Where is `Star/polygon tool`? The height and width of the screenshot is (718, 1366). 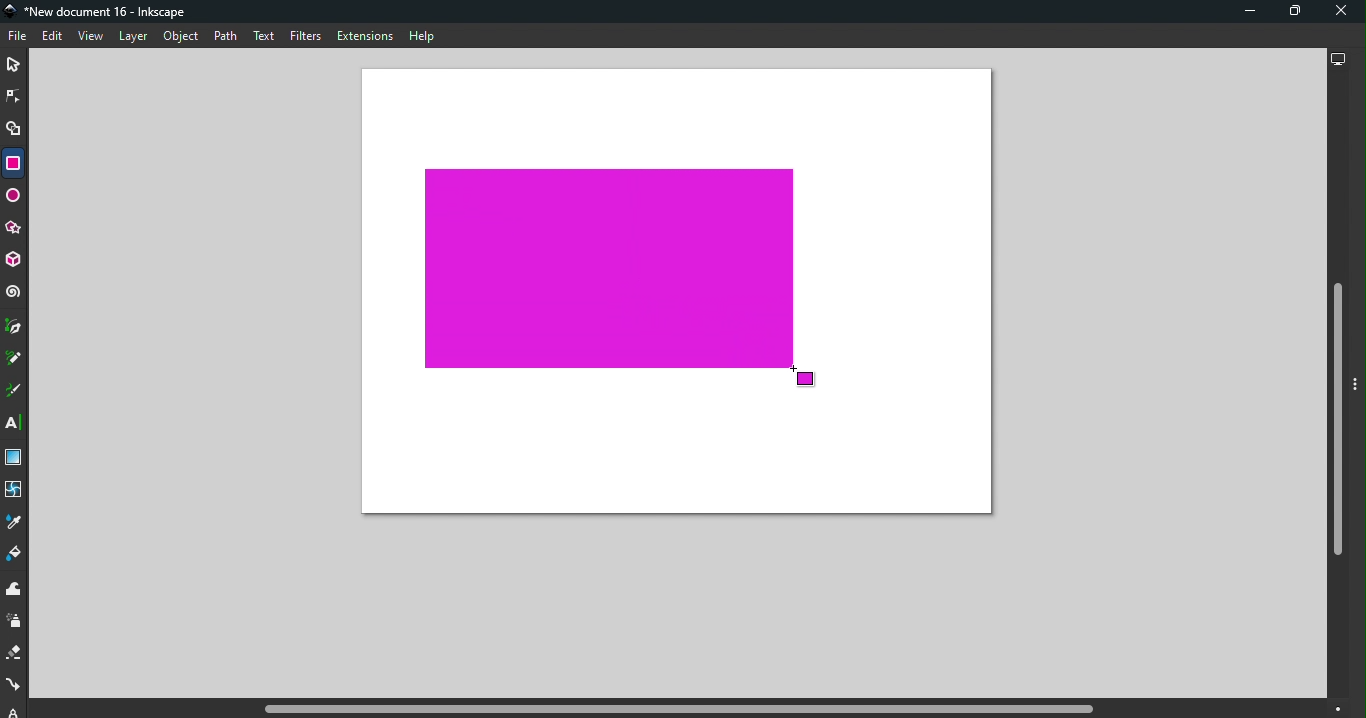
Star/polygon tool is located at coordinates (15, 229).